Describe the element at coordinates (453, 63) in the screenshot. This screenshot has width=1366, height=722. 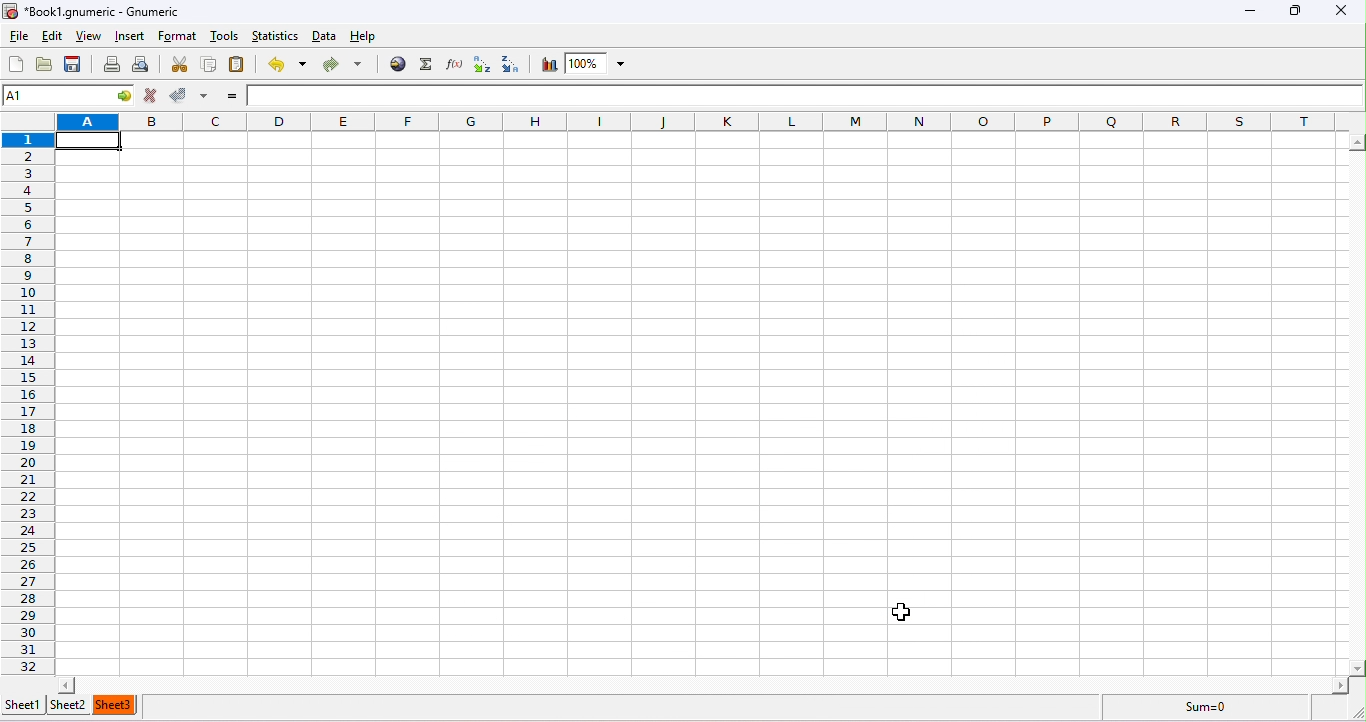
I see `edit a function in the current cell` at that location.